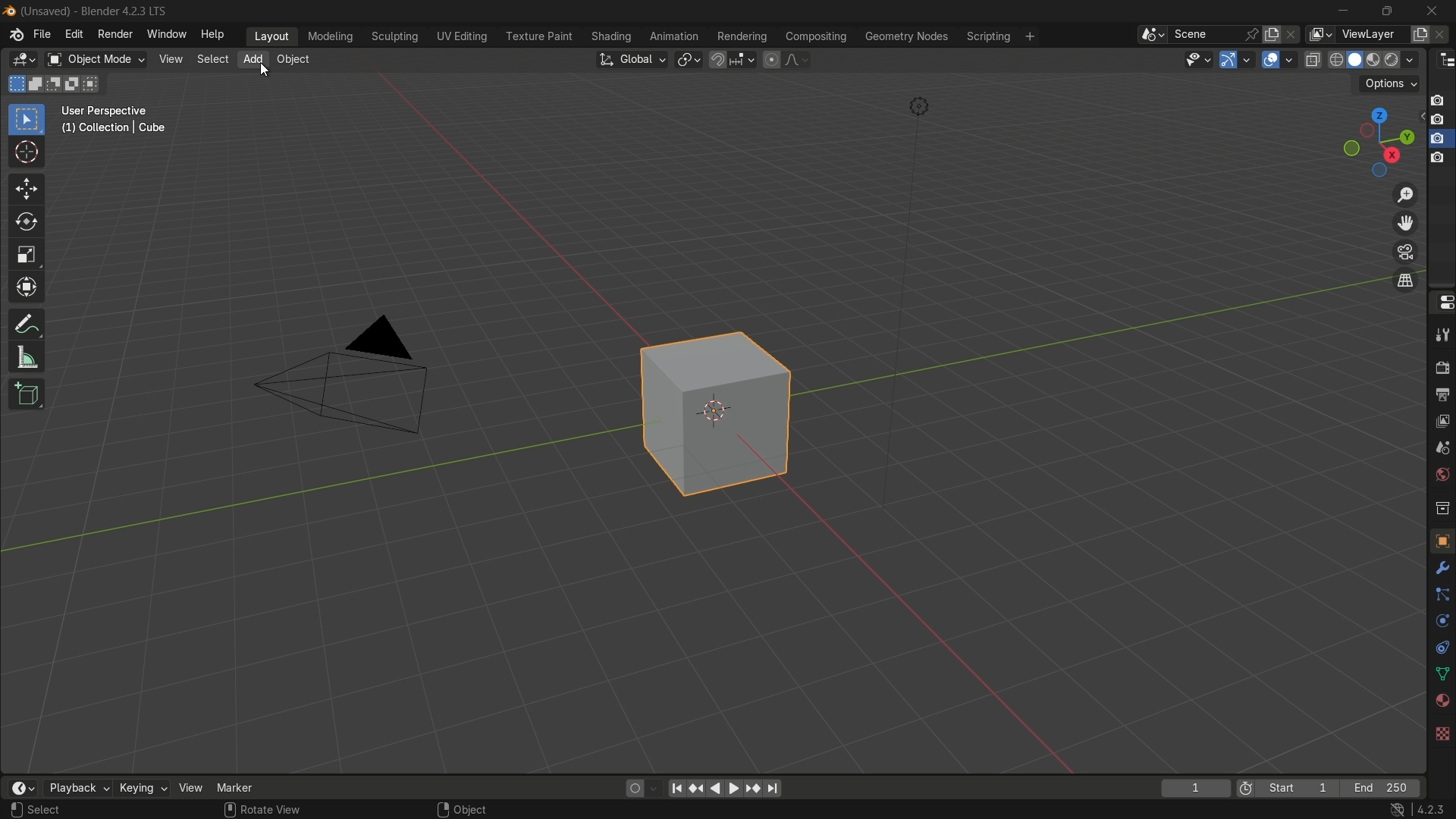  What do you see at coordinates (14, 84) in the screenshot?
I see `select new selection` at bounding box center [14, 84].